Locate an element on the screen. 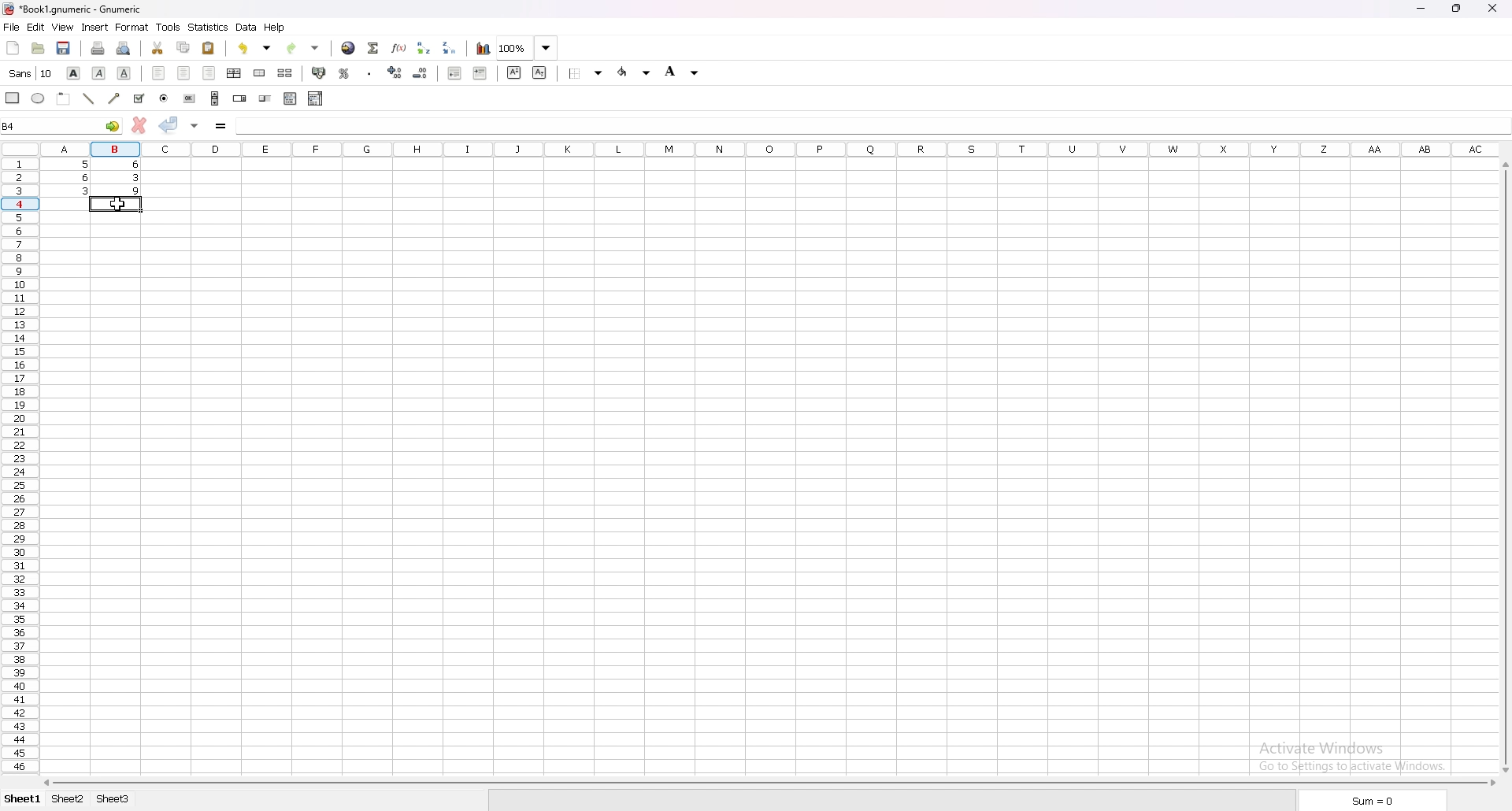  paste is located at coordinates (209, 47).